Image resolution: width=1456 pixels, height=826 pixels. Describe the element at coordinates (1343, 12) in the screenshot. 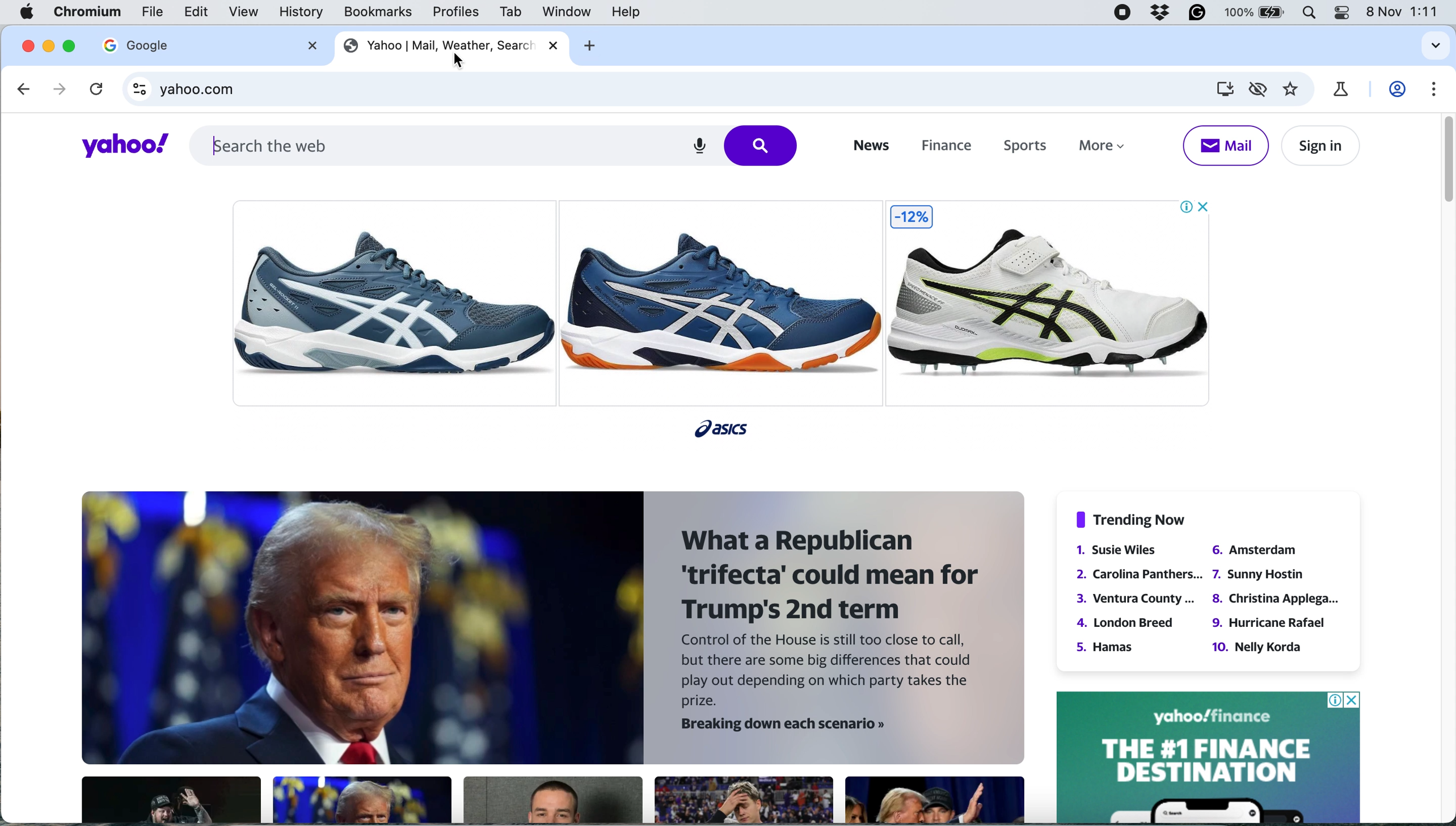

I see `control center` at that location.